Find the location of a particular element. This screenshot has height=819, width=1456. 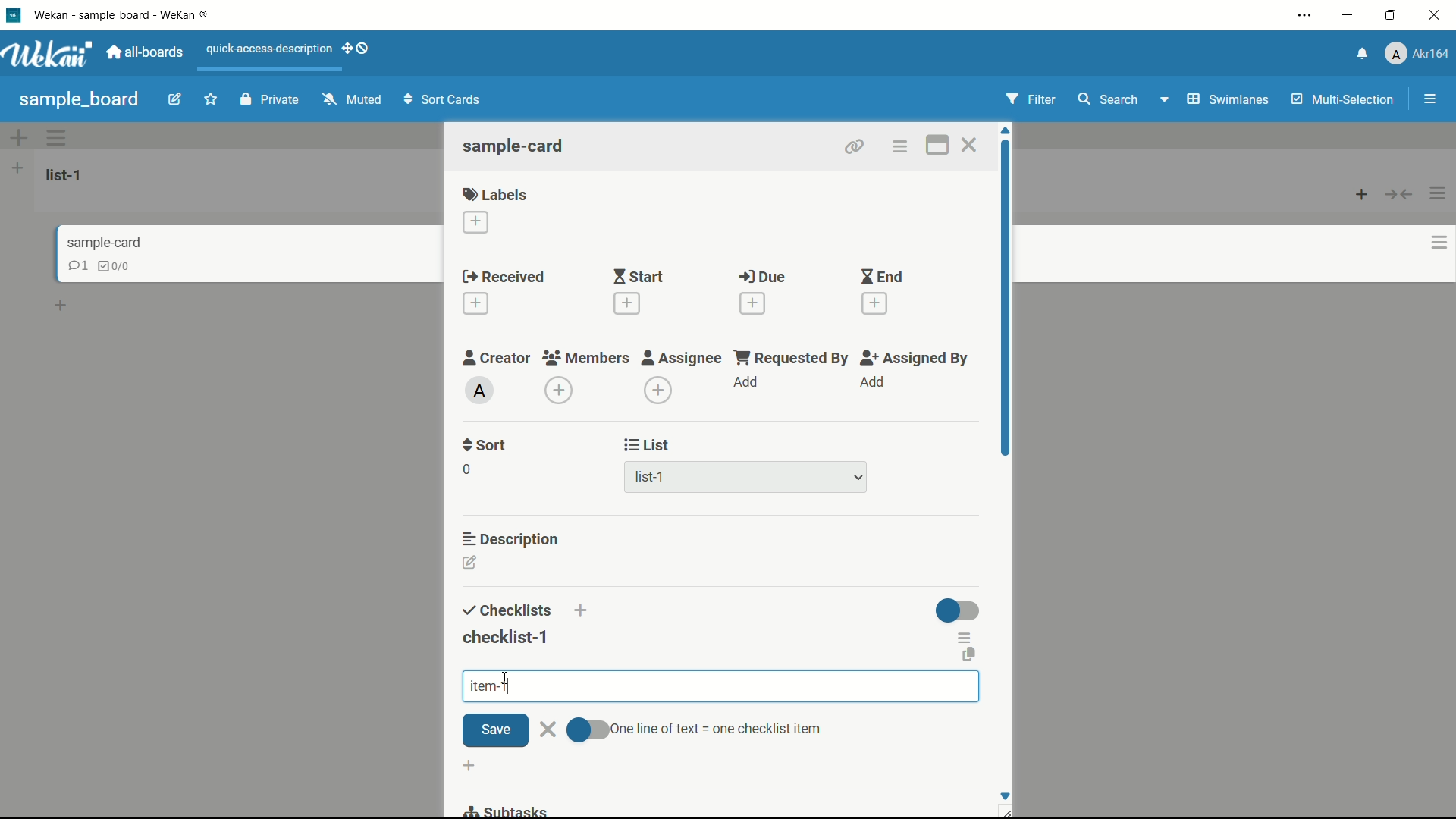

add date is located at coordinates (874, 303).